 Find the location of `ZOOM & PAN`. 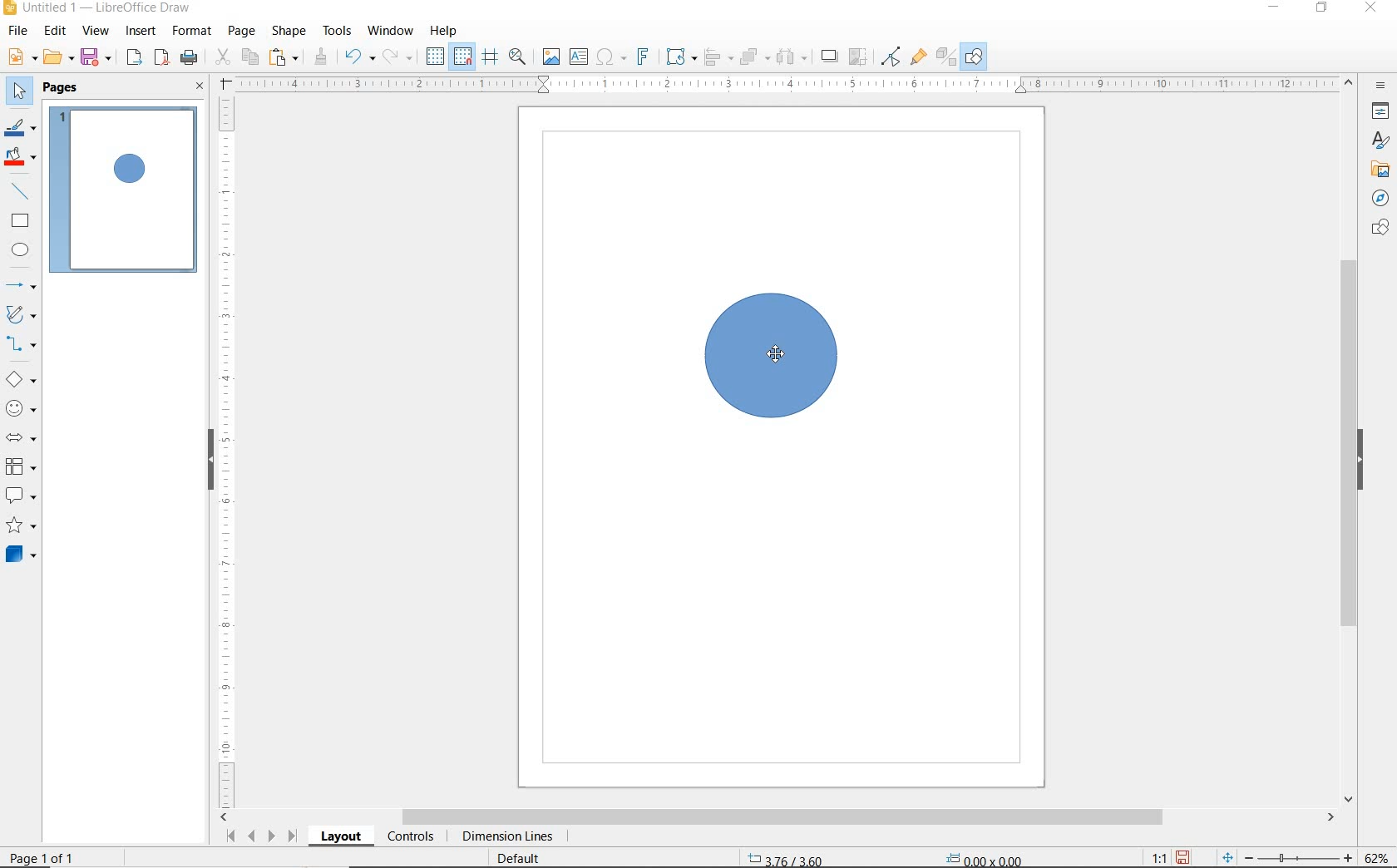

ZOOM & PAN is located at coordinates (520, 58).